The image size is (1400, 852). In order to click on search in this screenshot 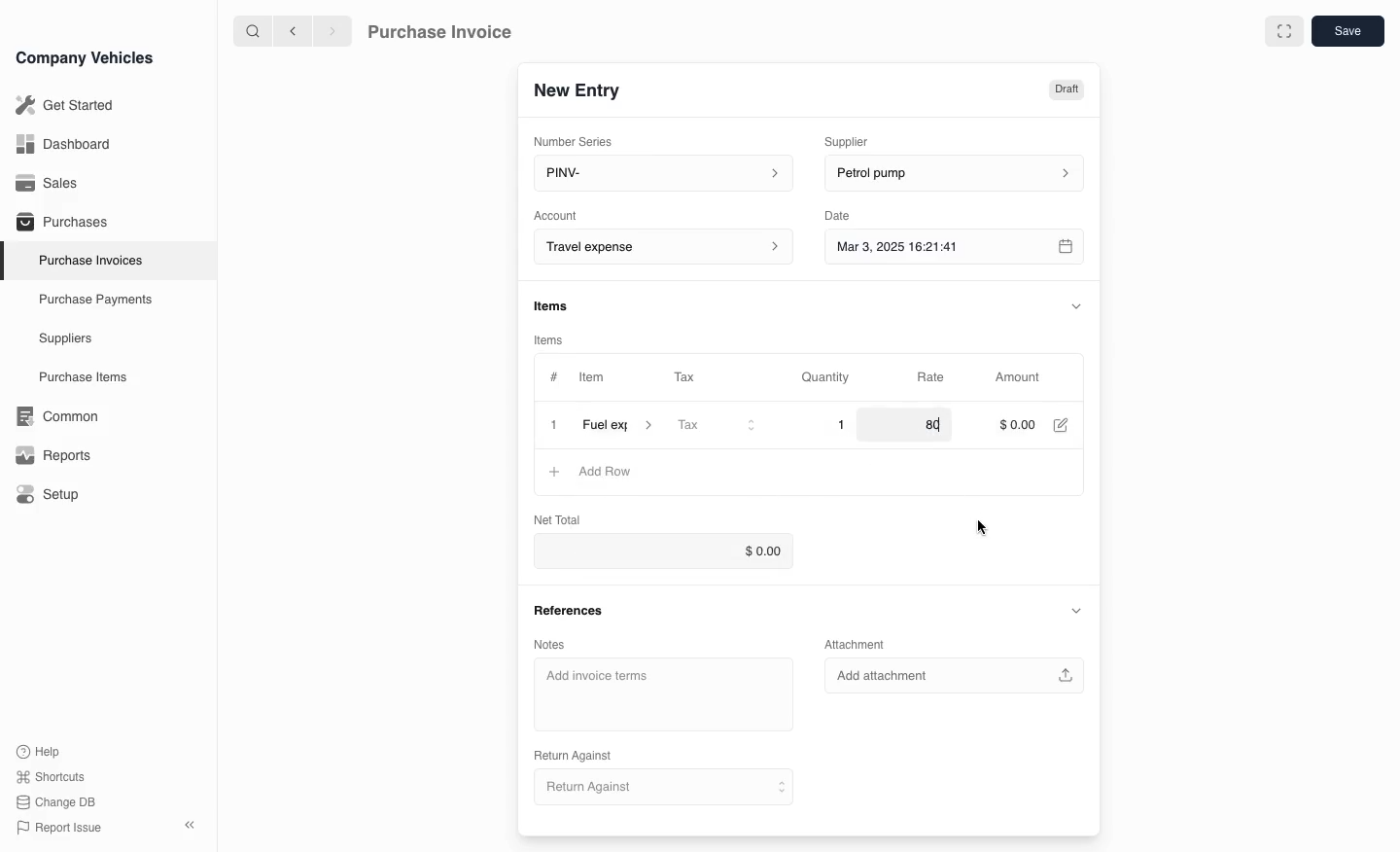, I will do `click(254, 30)`.